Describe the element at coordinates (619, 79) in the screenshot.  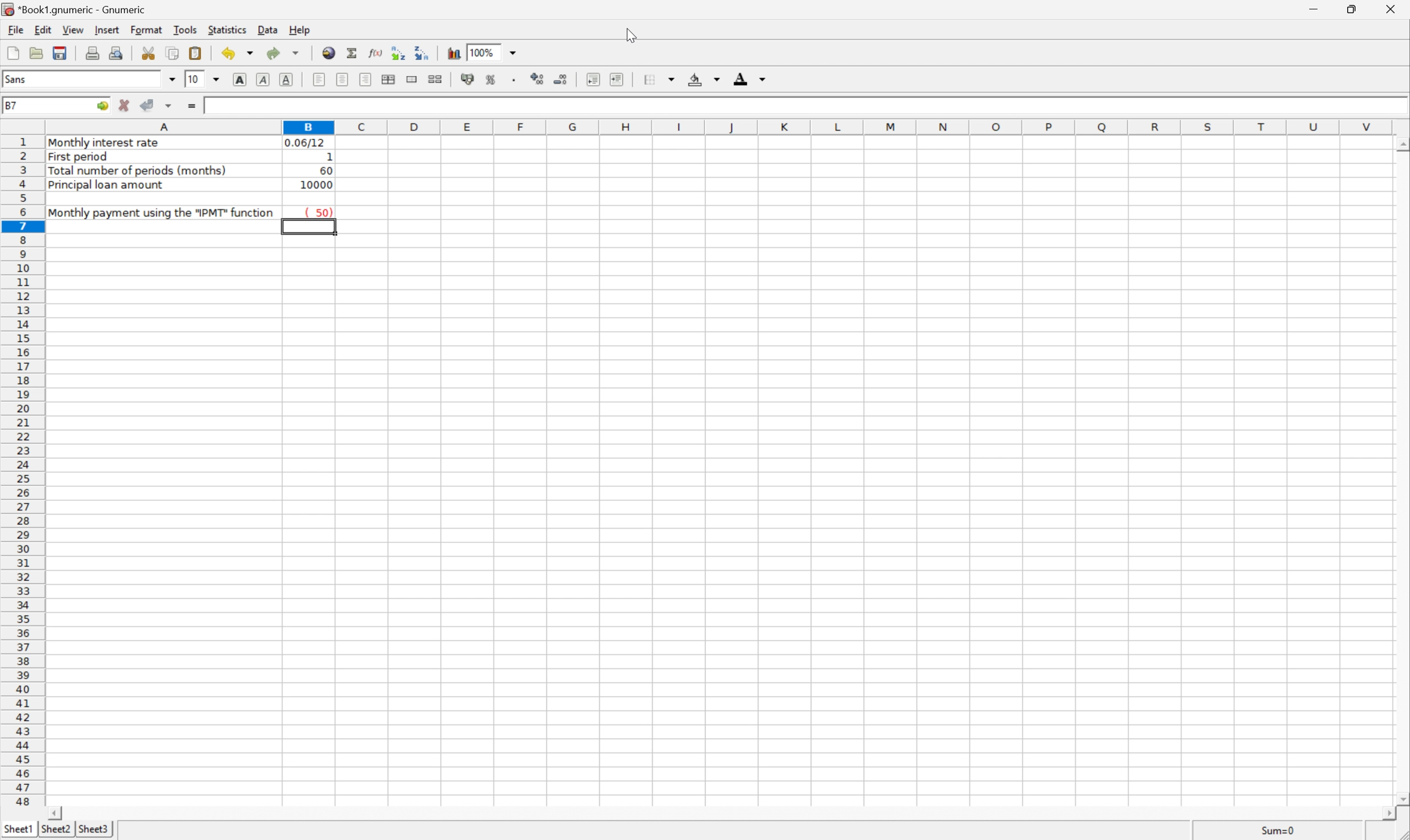
I see `Increase indent, and align the contents to the left` at that location.